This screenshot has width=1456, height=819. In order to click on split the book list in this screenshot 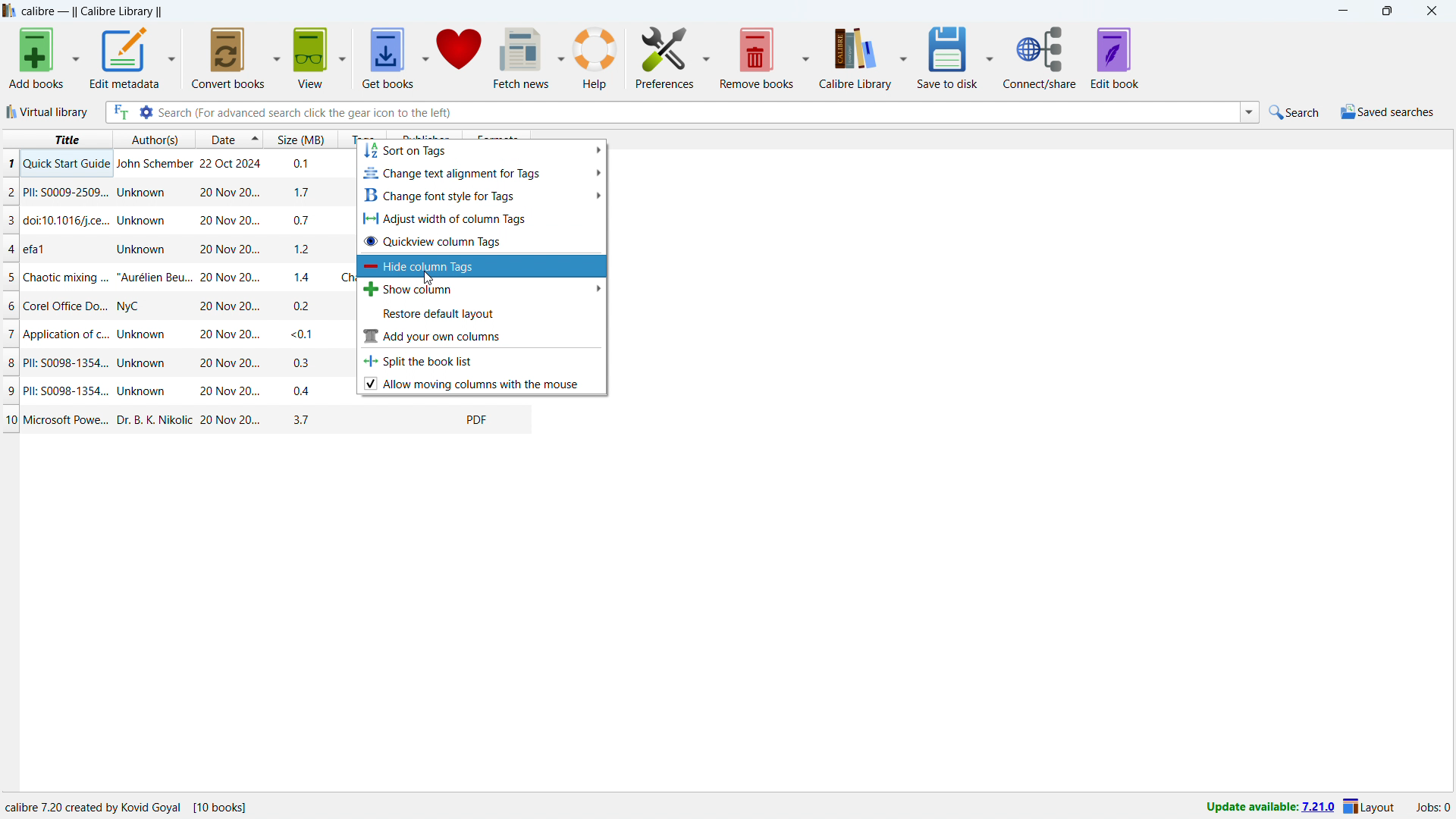, I will do `click(481, 360)`.